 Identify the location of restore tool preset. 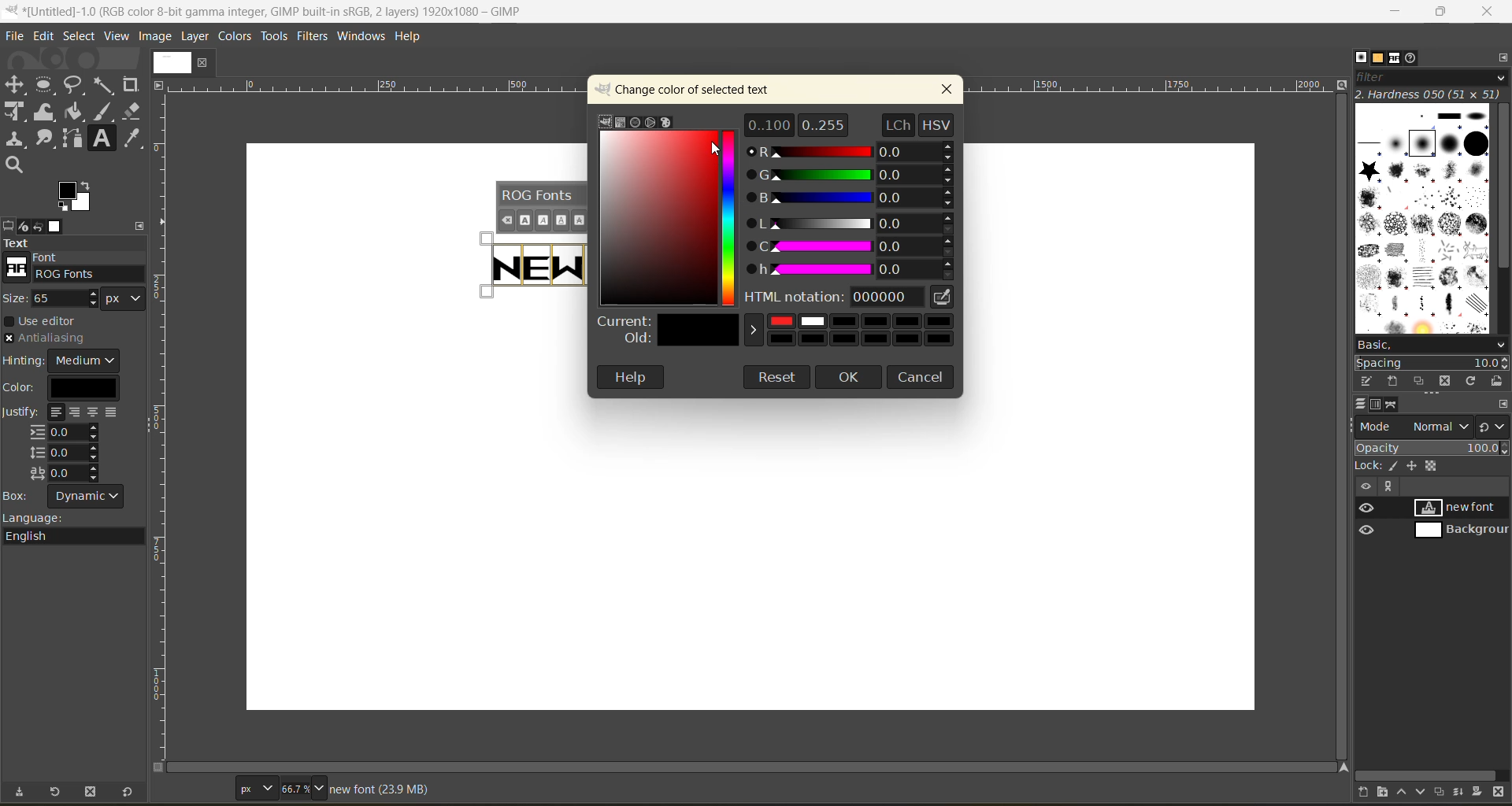
(57, 792).